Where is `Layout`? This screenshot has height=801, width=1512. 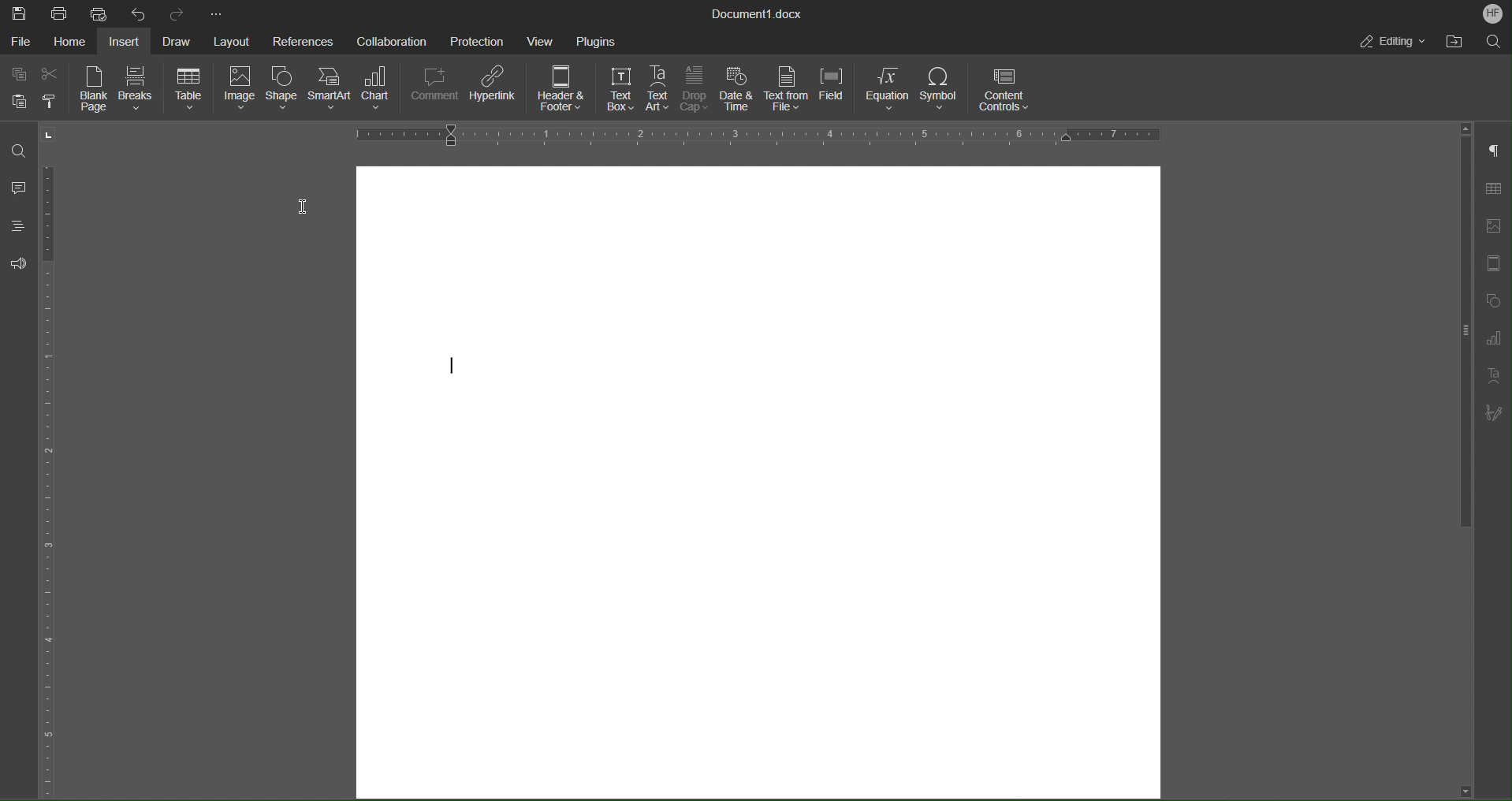
Layout is located at coordinates (232, 39).